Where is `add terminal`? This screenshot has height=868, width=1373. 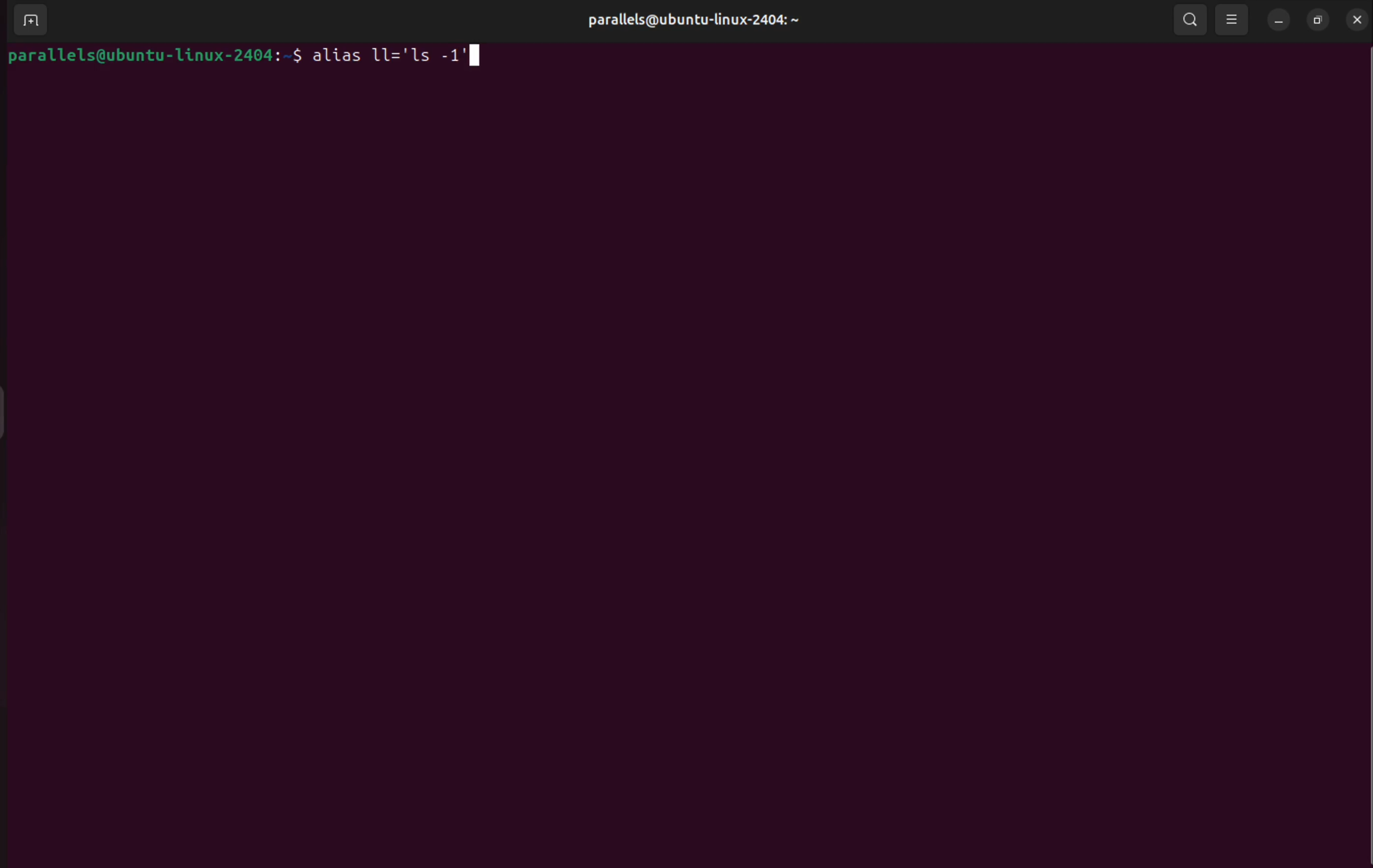 add terminal is located at coordinates (30, 22).